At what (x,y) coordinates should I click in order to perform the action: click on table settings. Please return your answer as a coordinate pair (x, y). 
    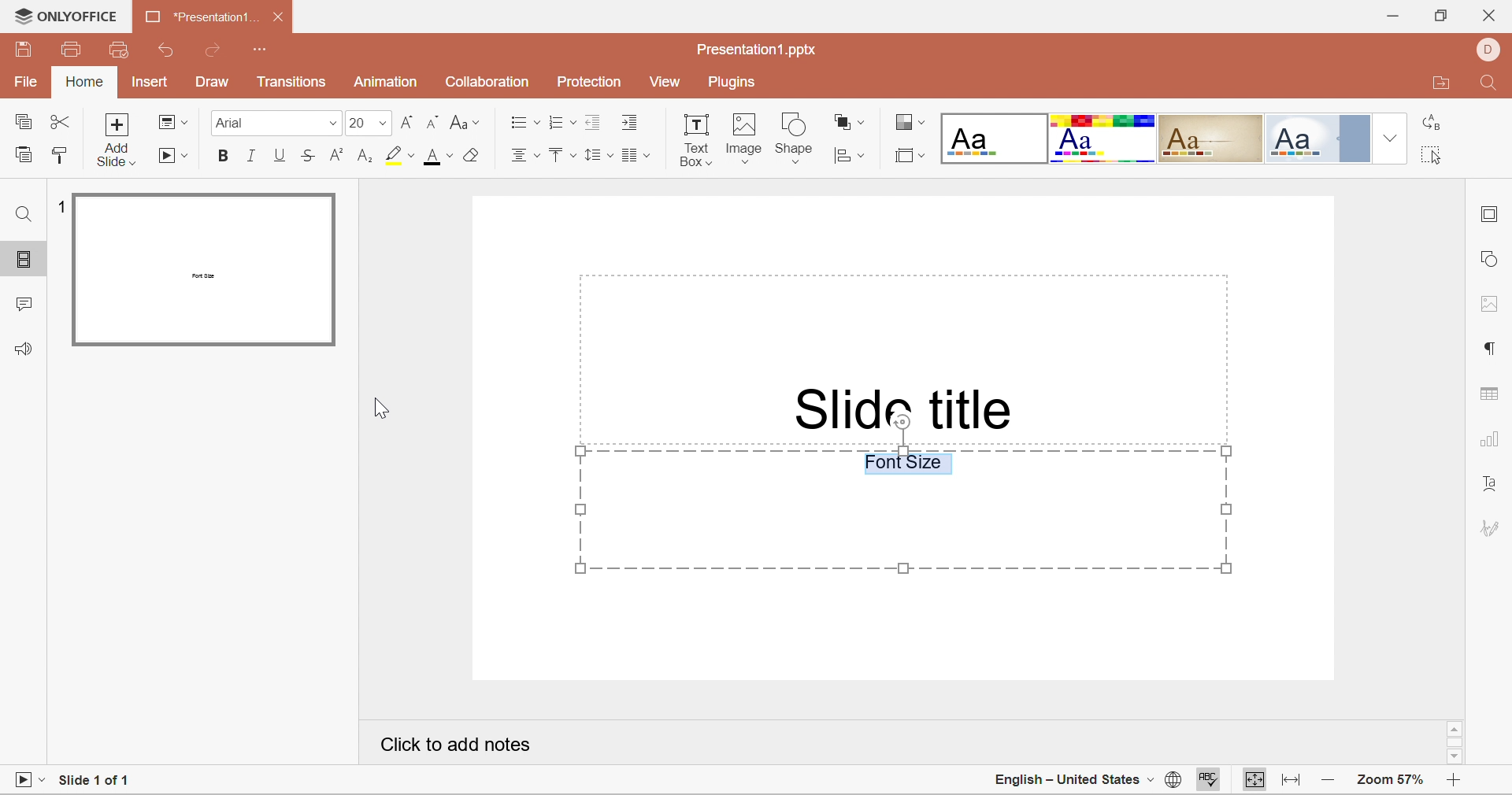
    Looking at the image, I should click on (1493, 397).